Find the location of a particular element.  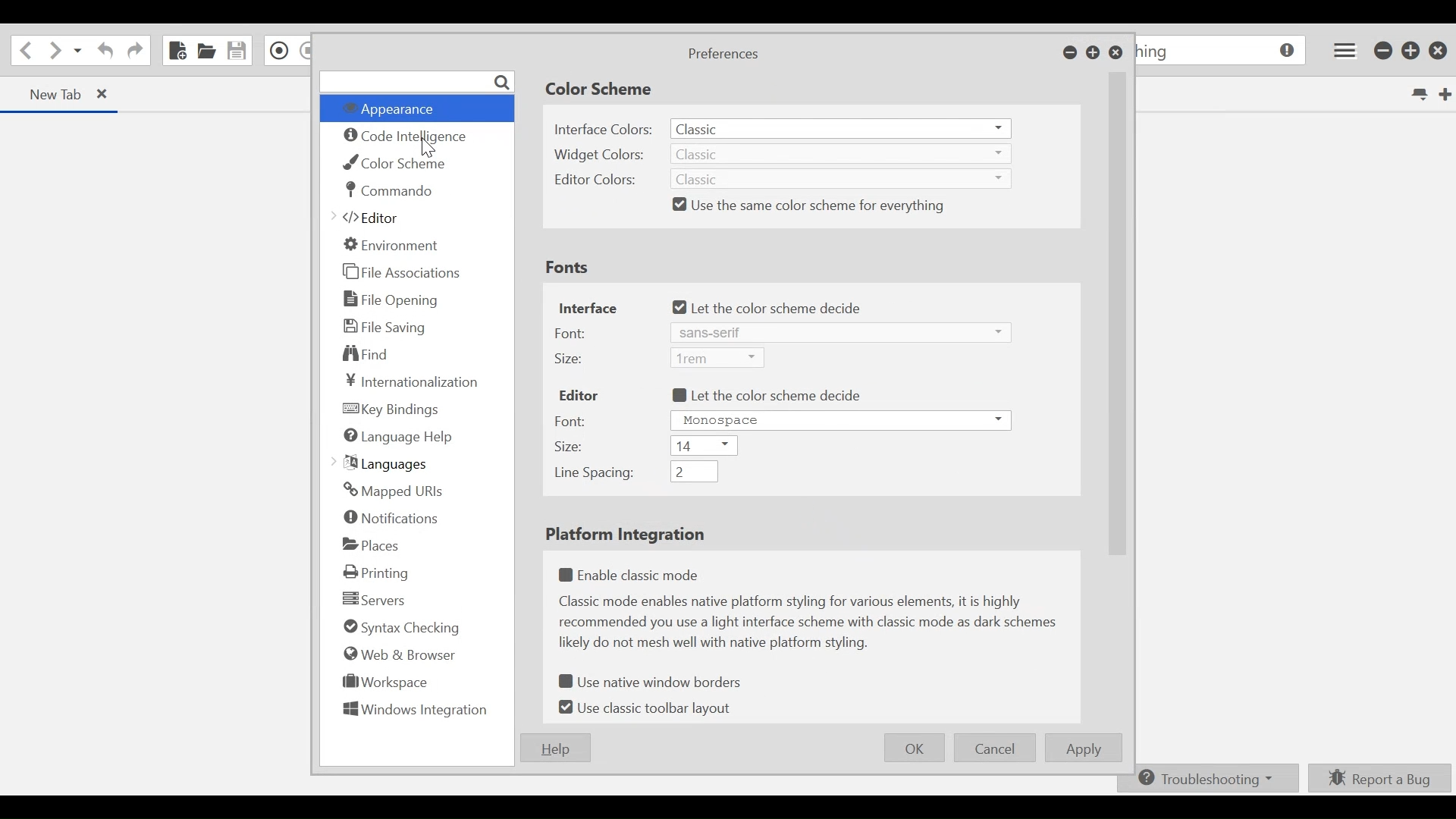

Interface is located at coordinates (588, 309).